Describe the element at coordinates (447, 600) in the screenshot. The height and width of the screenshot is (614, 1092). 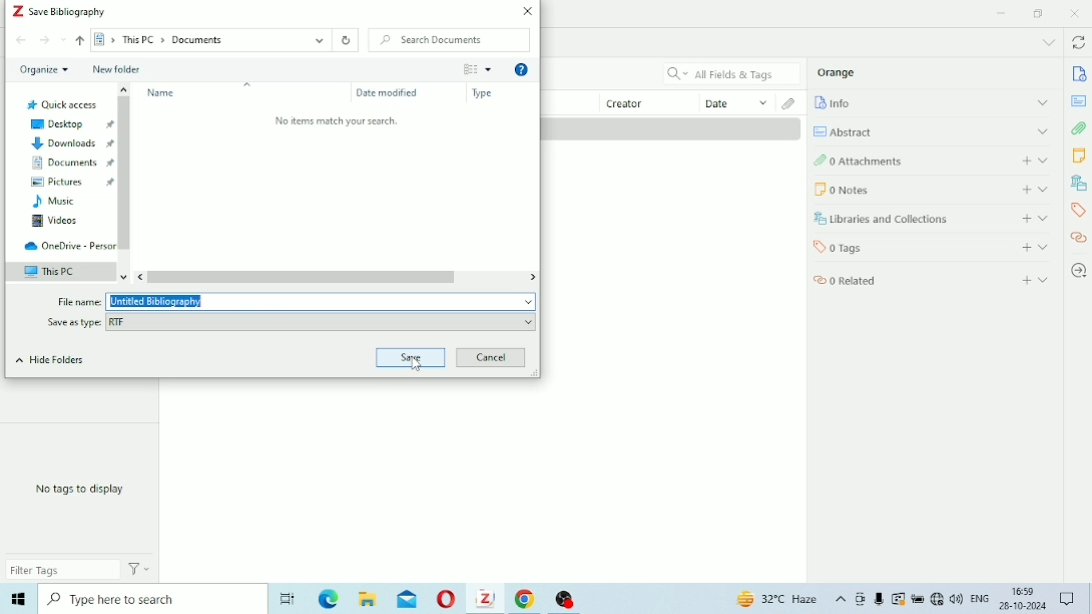
I see `Opera Mini` at that location.